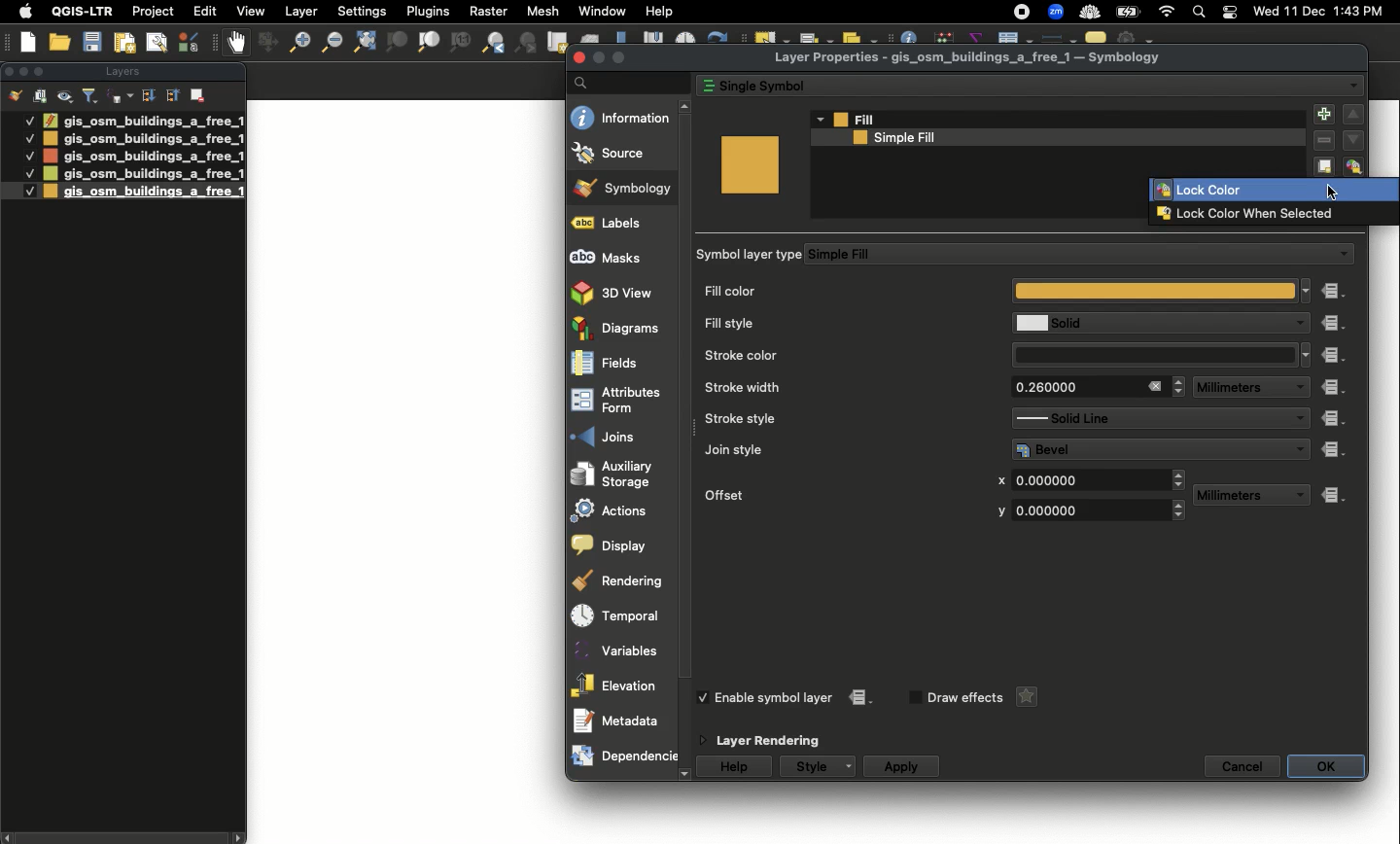 The image size is (1400, 844). I want to click on Sort descending, so click(148, 96).